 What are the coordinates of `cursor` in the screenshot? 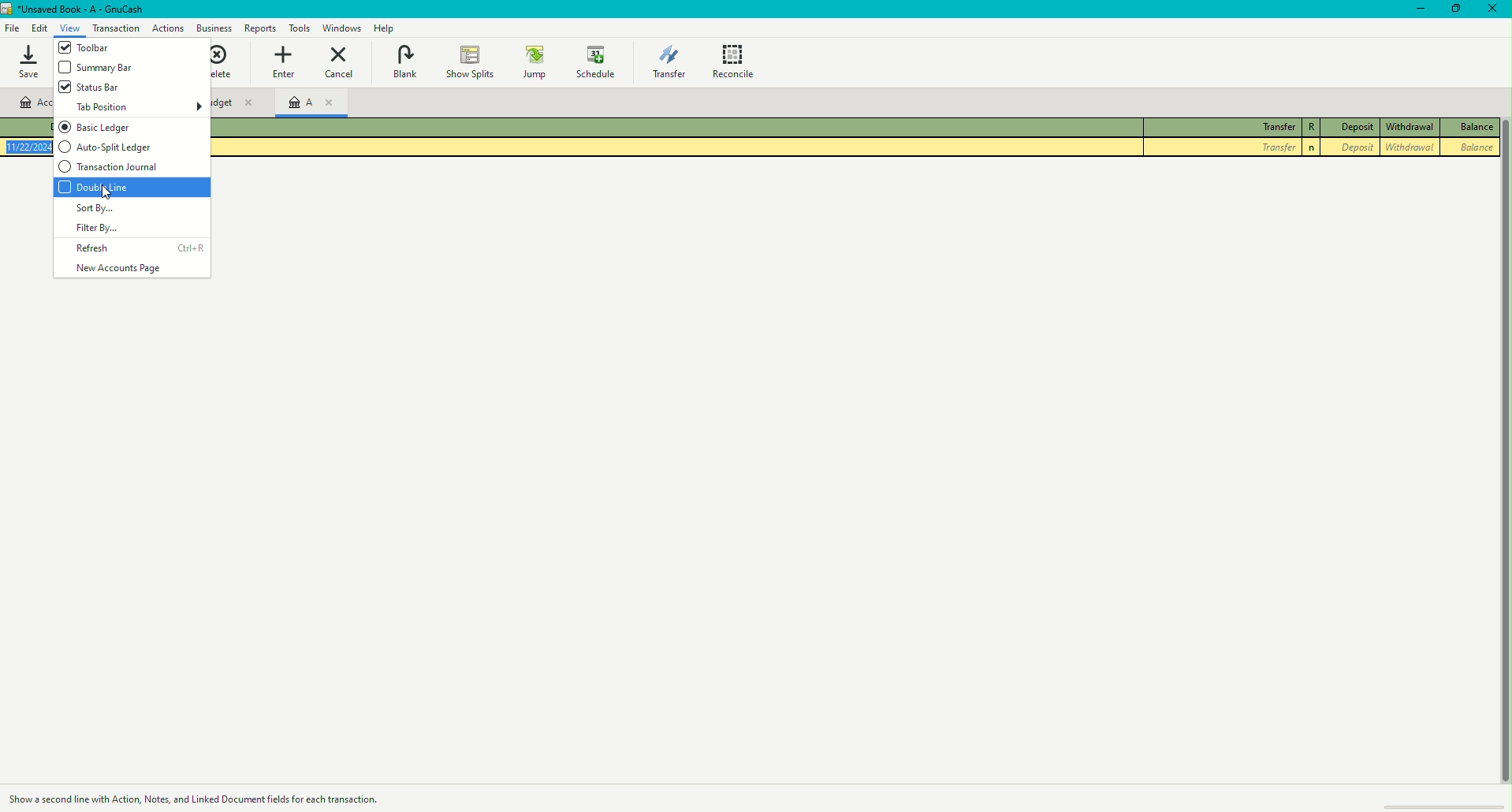 It's located at (105, 194).